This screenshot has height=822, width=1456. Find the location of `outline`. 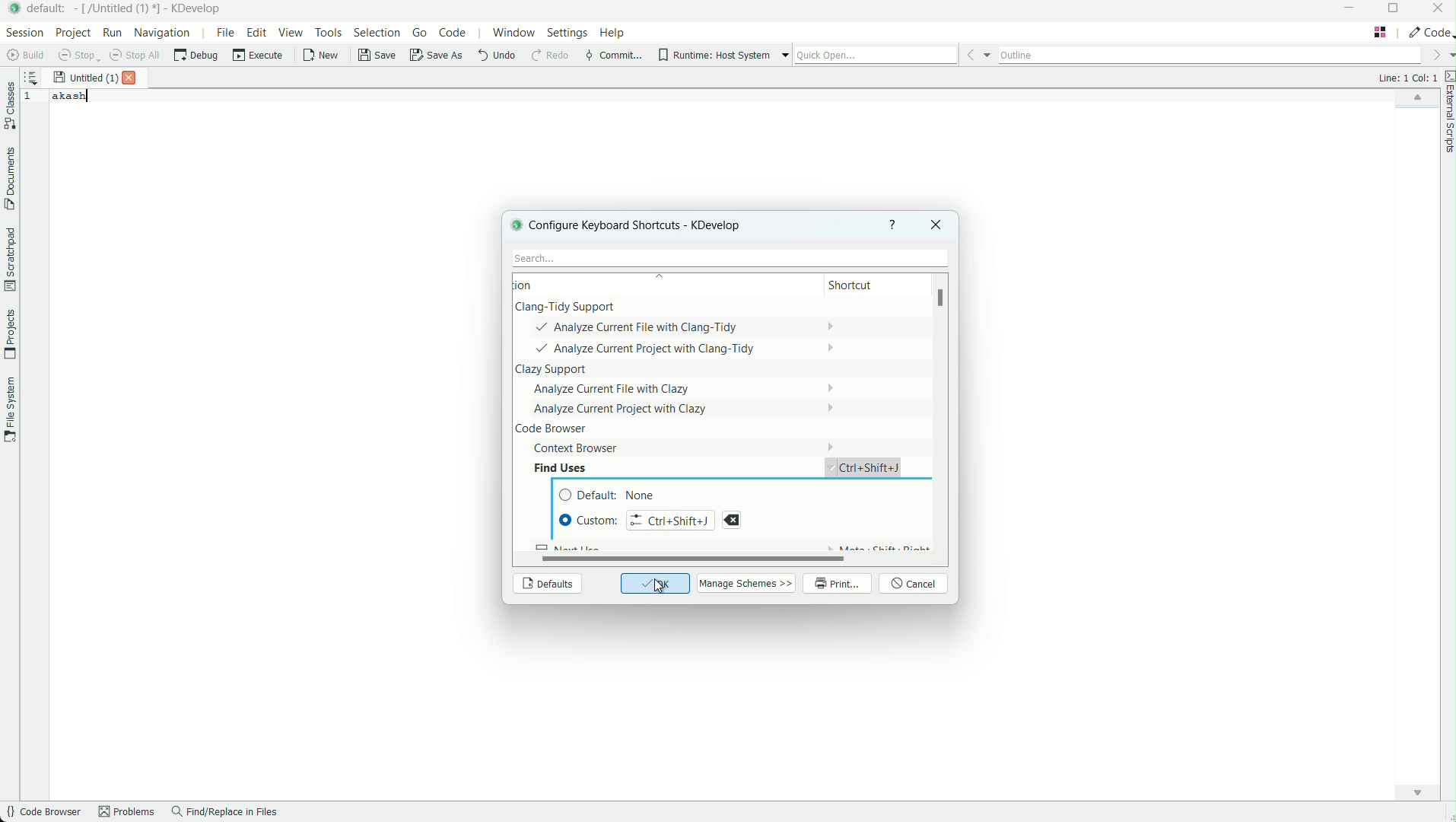

outline is located at coordinates (1210, 53).